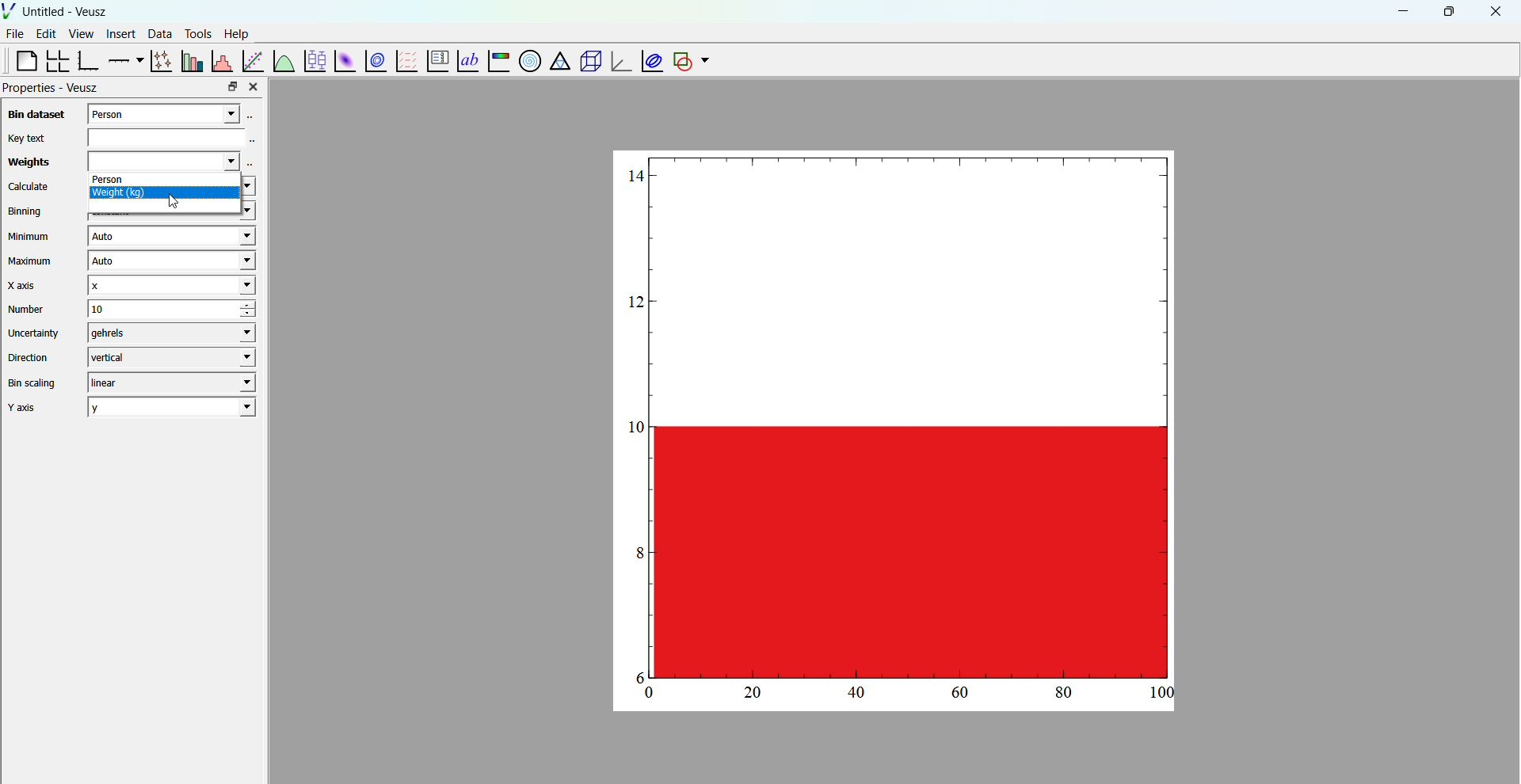  I want to click on cursor, so click(181, 206).